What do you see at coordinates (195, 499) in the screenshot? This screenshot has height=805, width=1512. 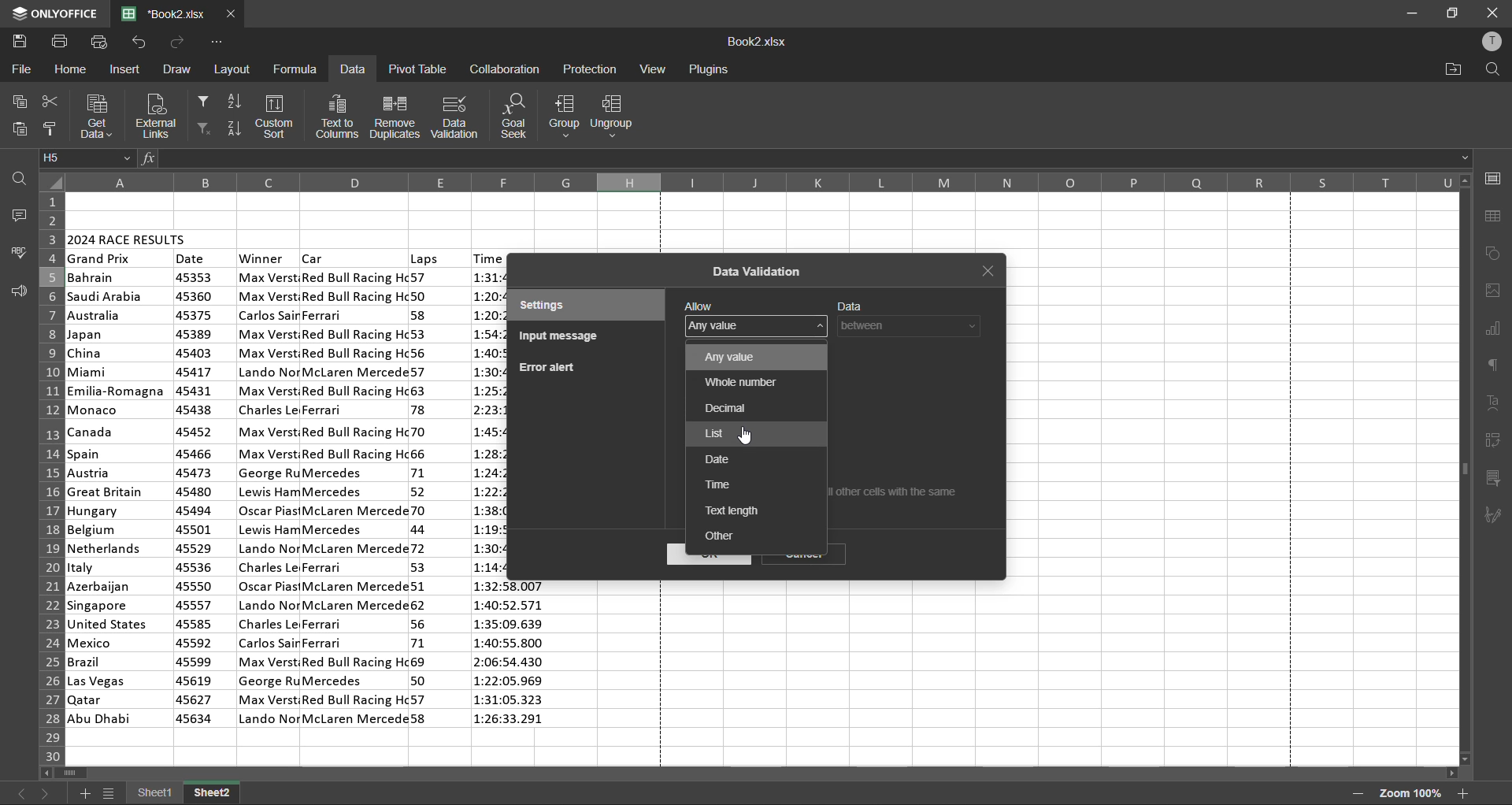 I see `date` at bounding box center [195, 499].